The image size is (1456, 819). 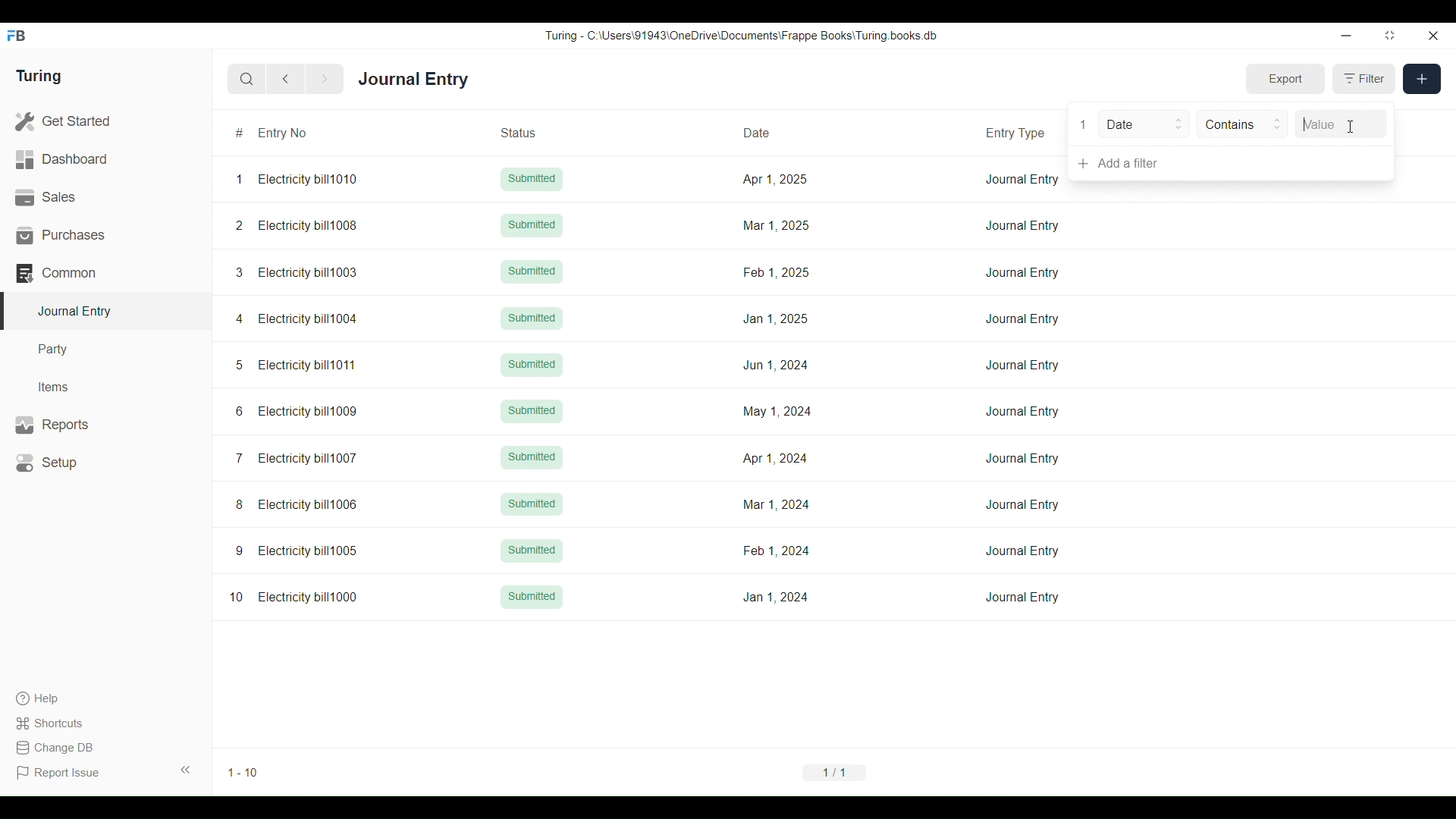 What do you see at coordinates (776, 318) in the screenshot?
I see `Jan 1, 2025` at bounding box center [776, 318].